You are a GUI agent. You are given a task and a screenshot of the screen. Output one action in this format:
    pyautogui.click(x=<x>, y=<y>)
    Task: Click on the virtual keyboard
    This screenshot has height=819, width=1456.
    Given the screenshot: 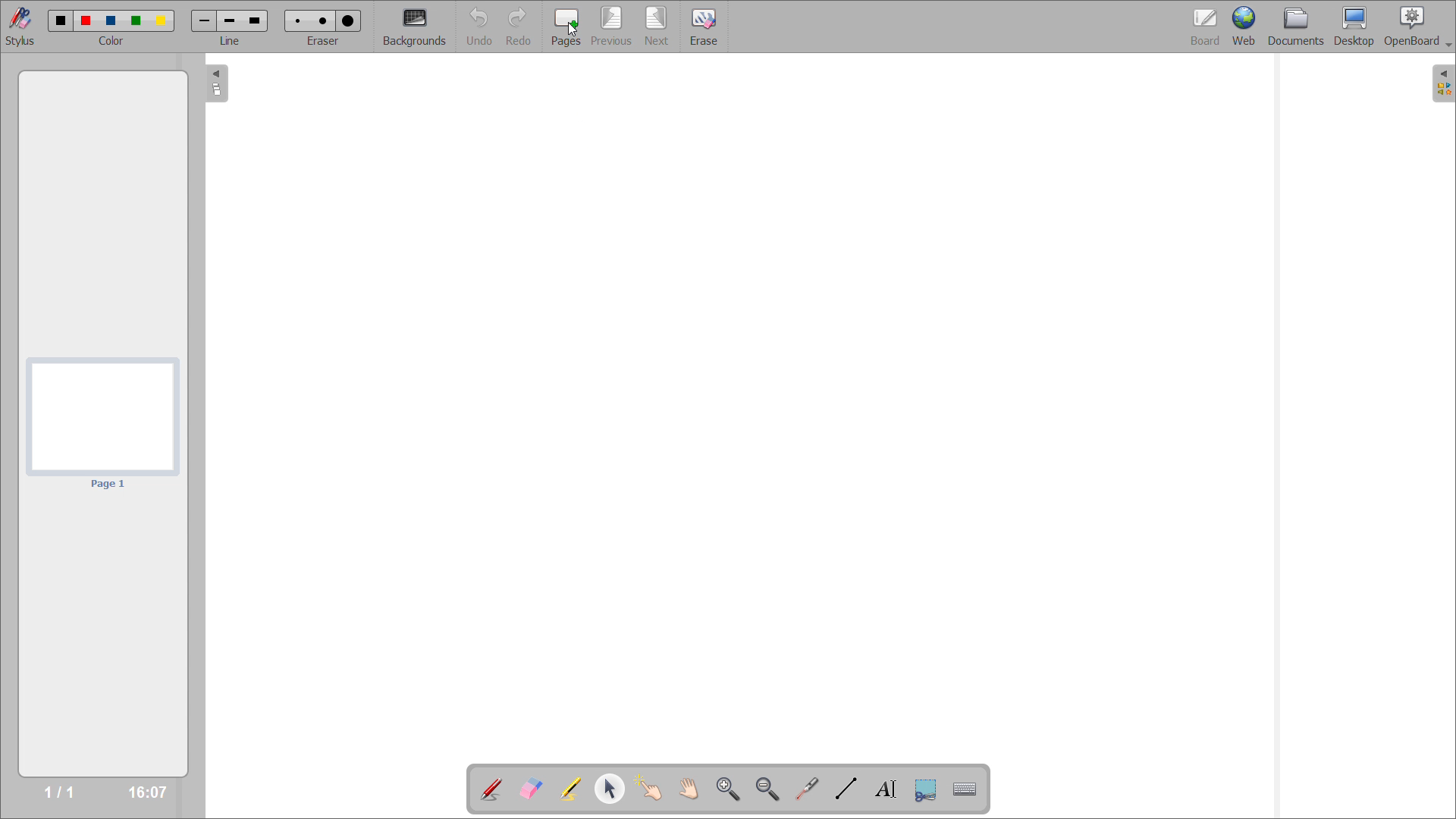 What is the action you would take?
    pyautogui.click(x=966, y=788)
    